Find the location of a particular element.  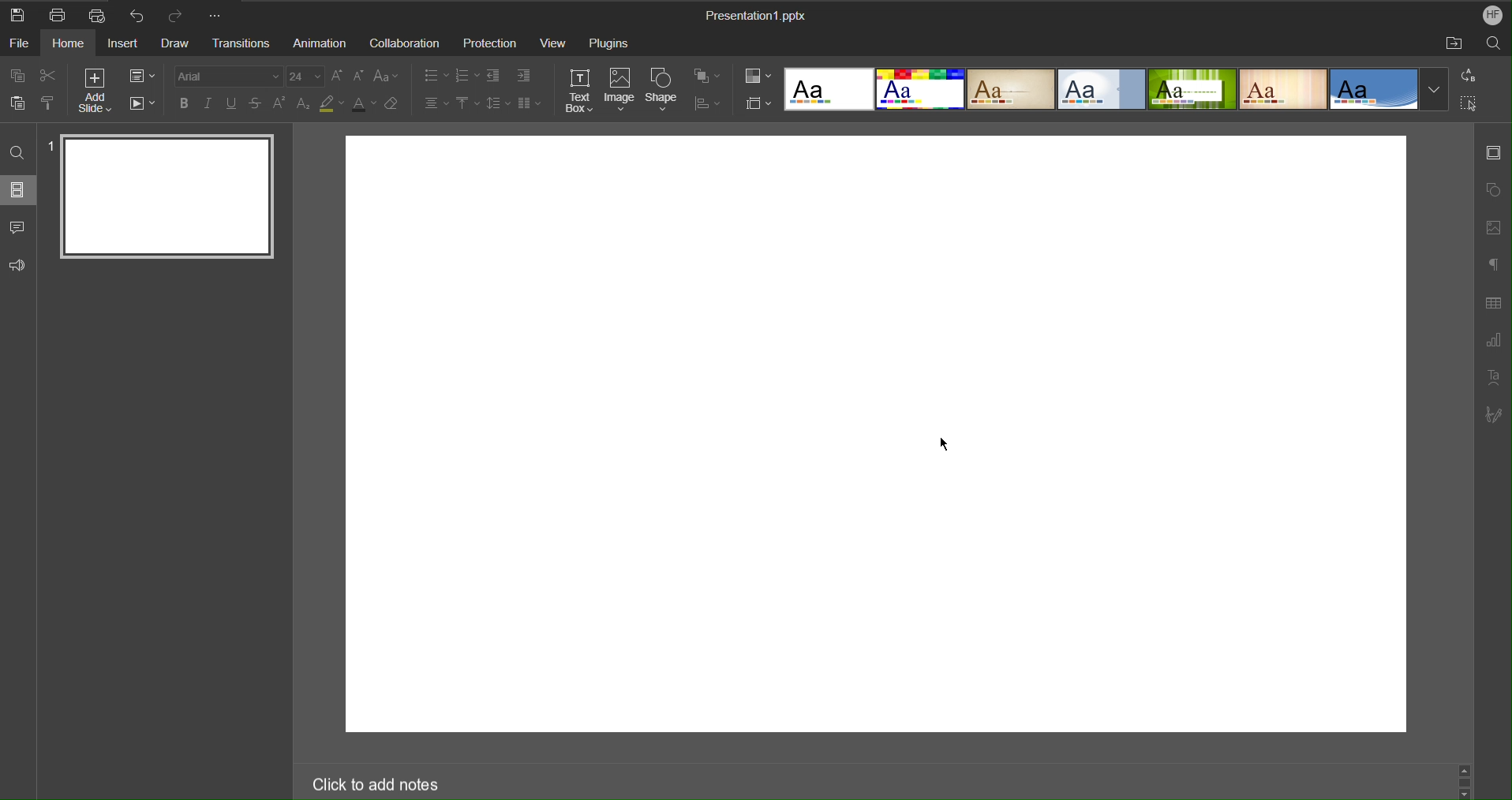

Font size is located at coordinates (305, 76).